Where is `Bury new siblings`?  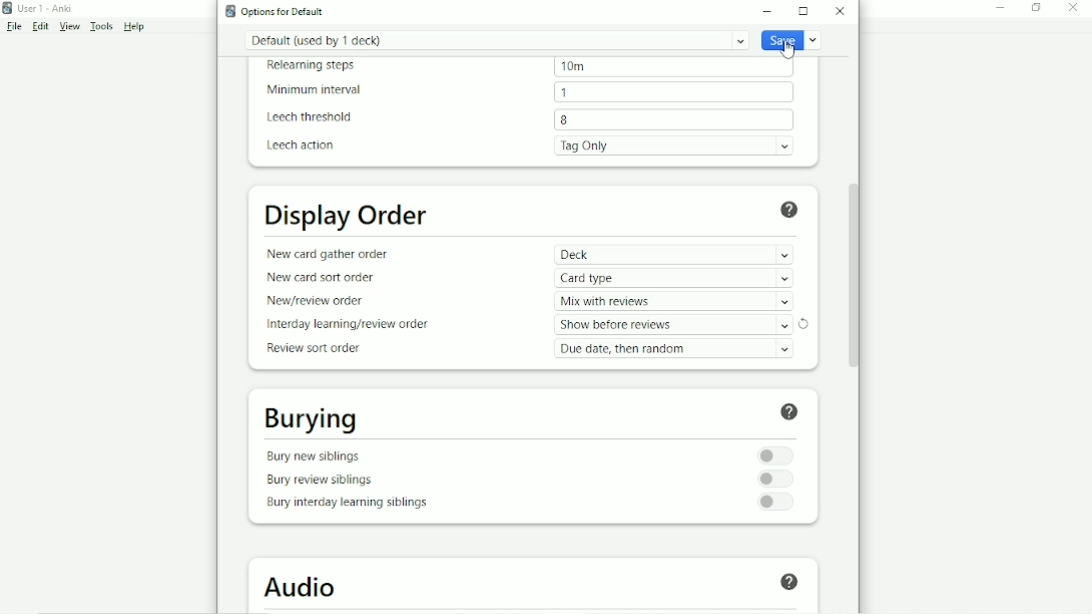 Bury new siblings is located at coordinates (317, 455).